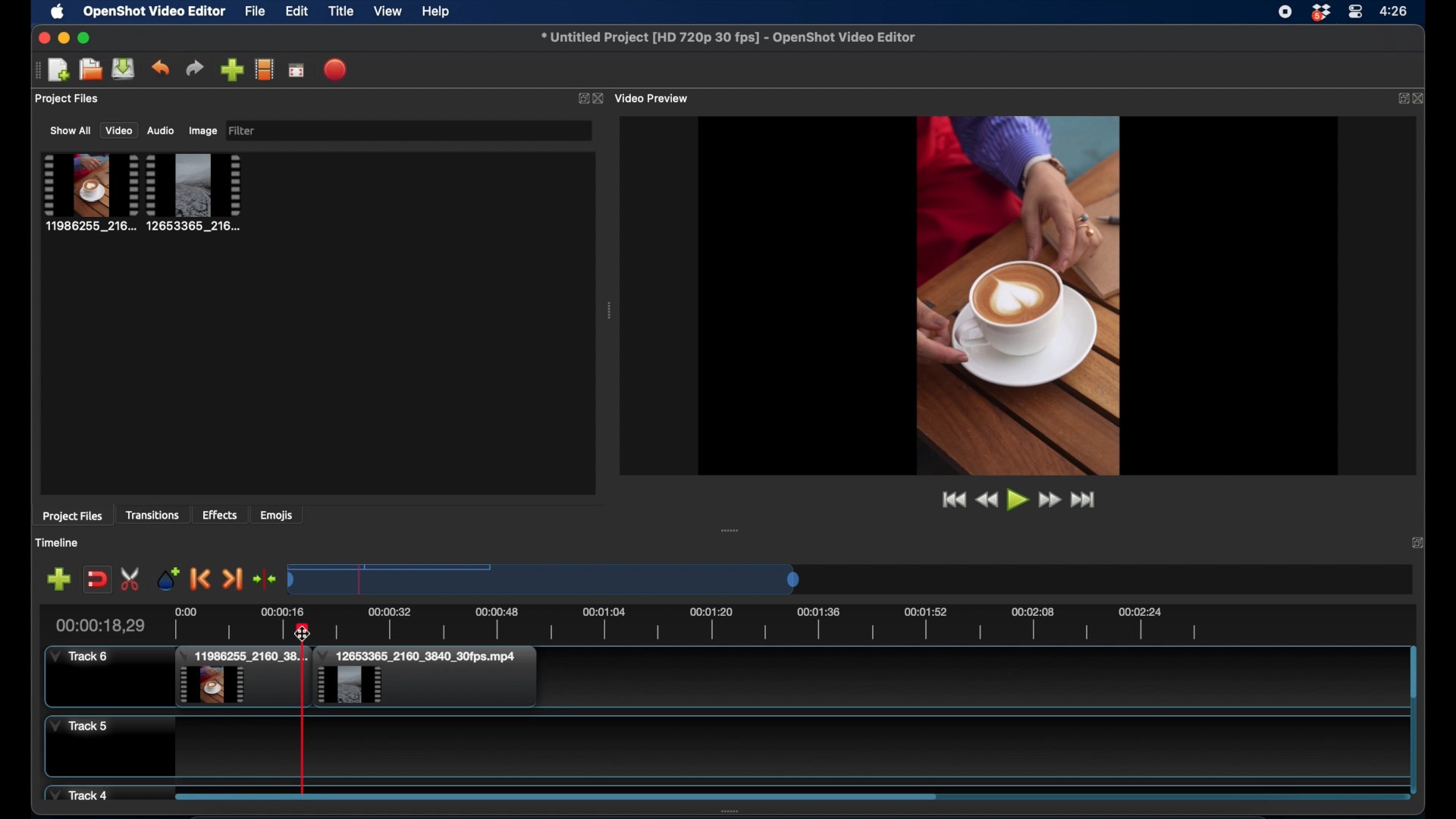  What do you see at coordinates (303, 633) in the screenshot?
I see `cursor` at bounding box center [303, 633].